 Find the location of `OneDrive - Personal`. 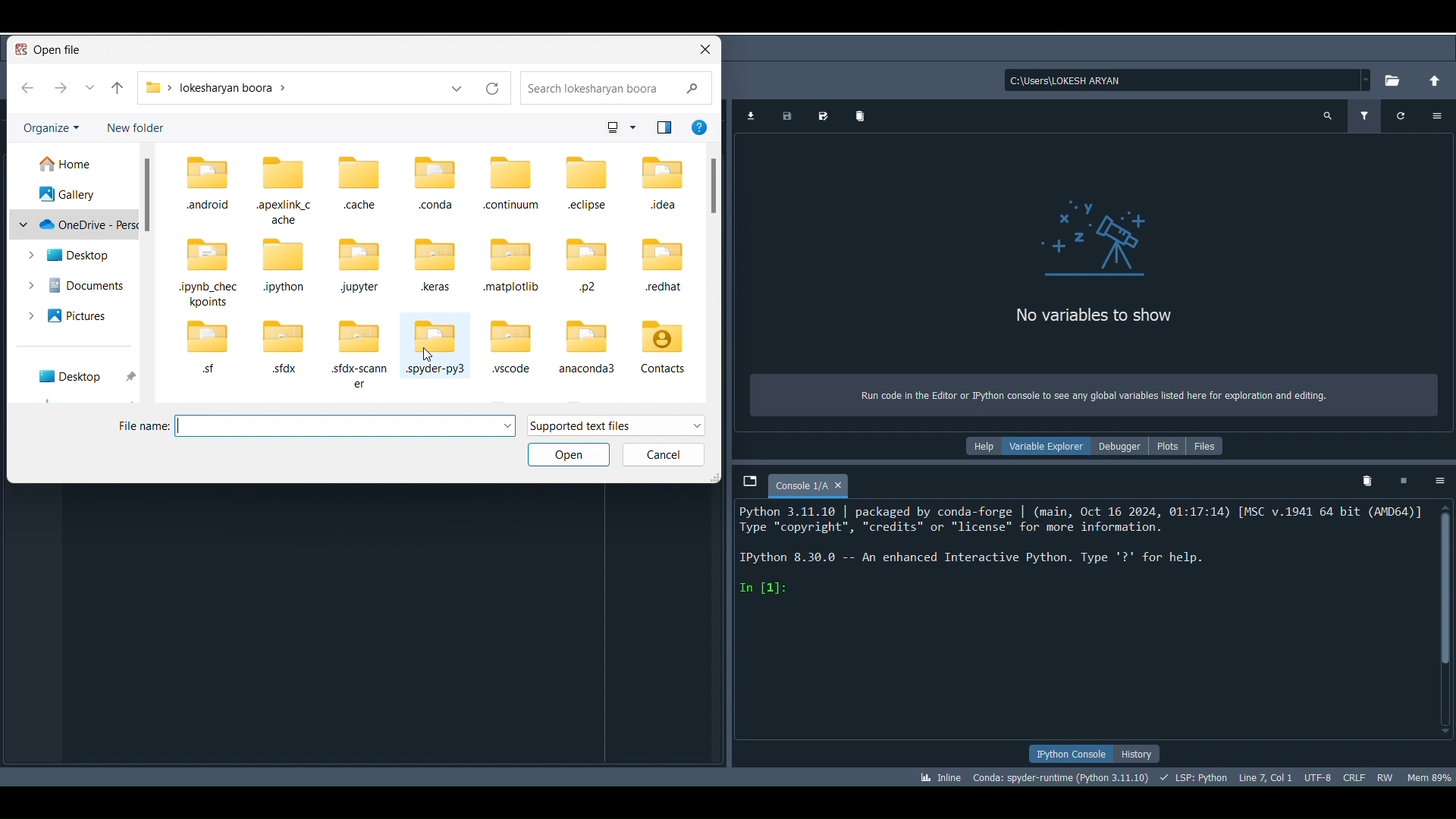

OneDrive - Personal is located at coordinates (83, 224).